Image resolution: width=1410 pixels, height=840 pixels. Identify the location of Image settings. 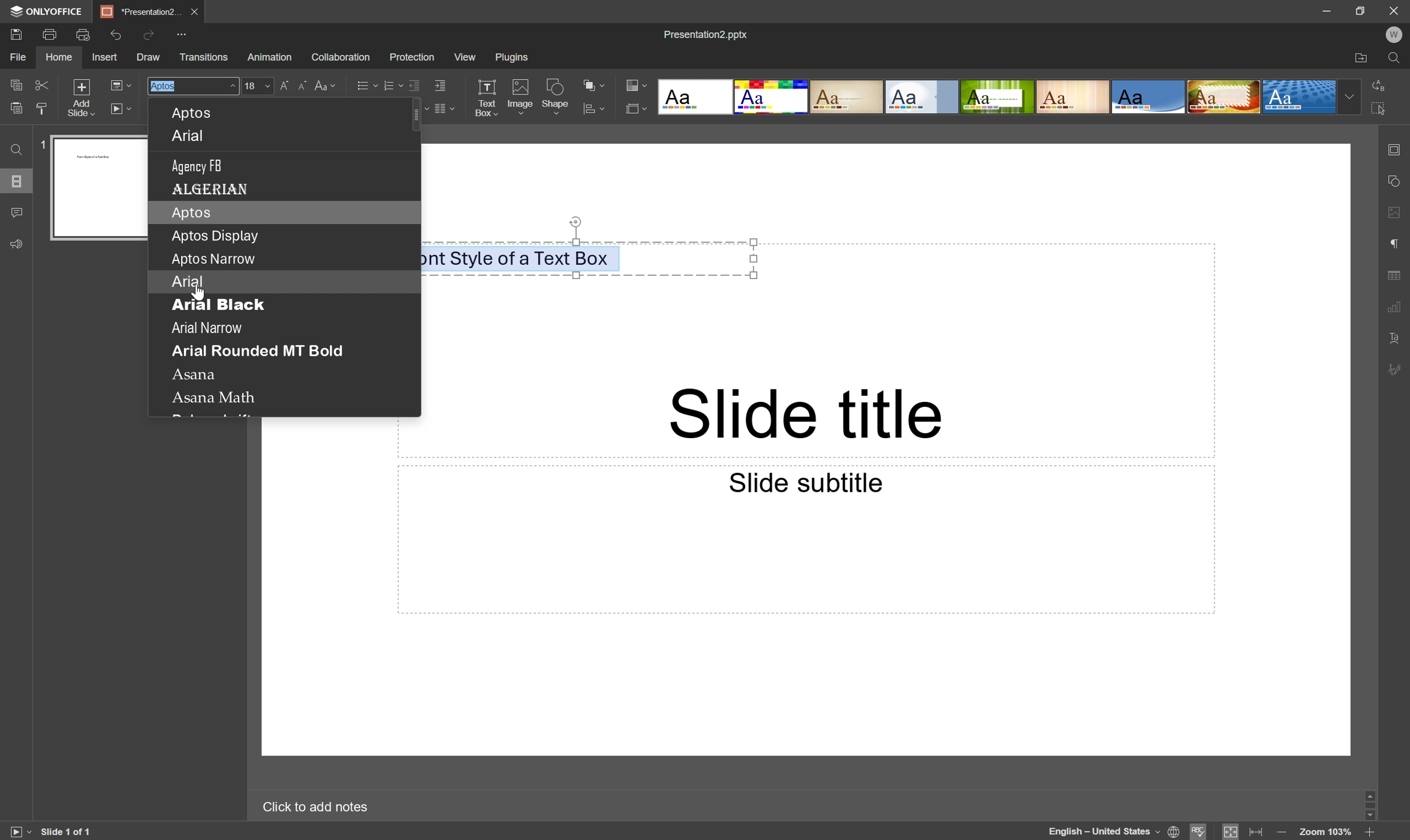
(1398, 211).